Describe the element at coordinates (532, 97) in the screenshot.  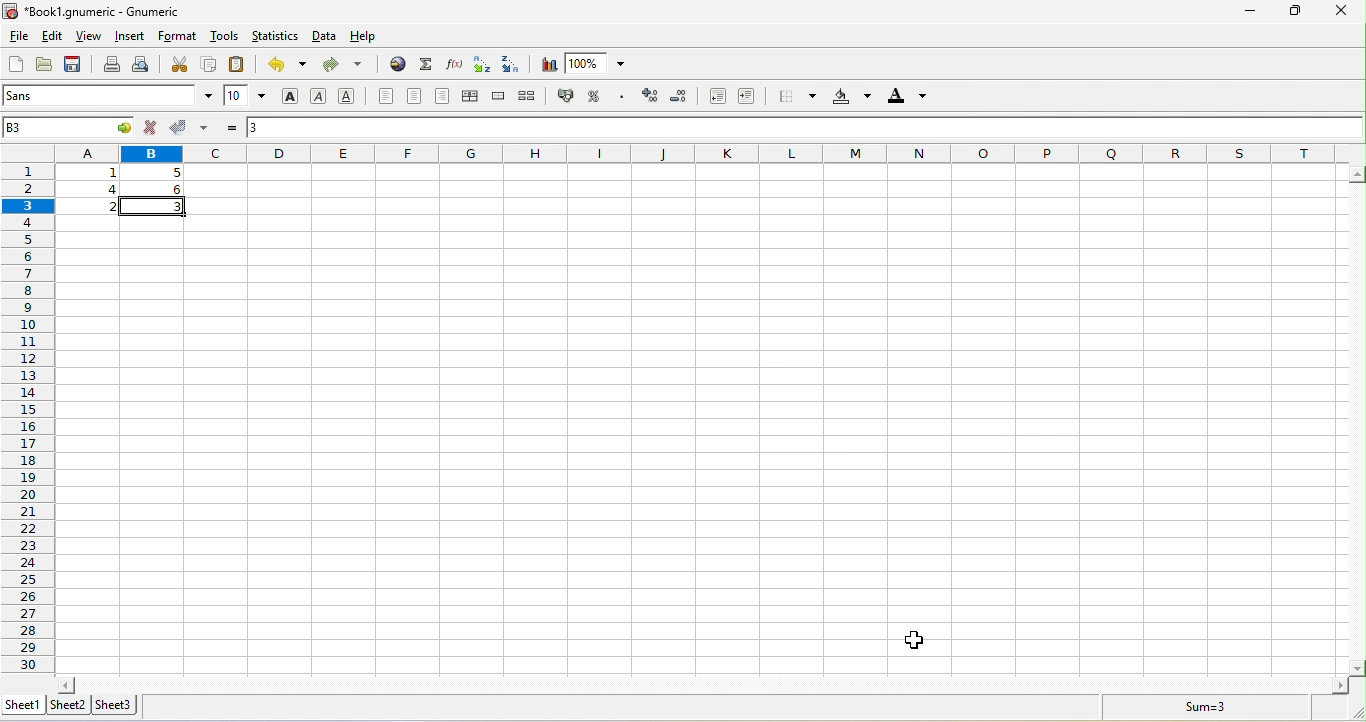
I see `split a merged cells` at that location.